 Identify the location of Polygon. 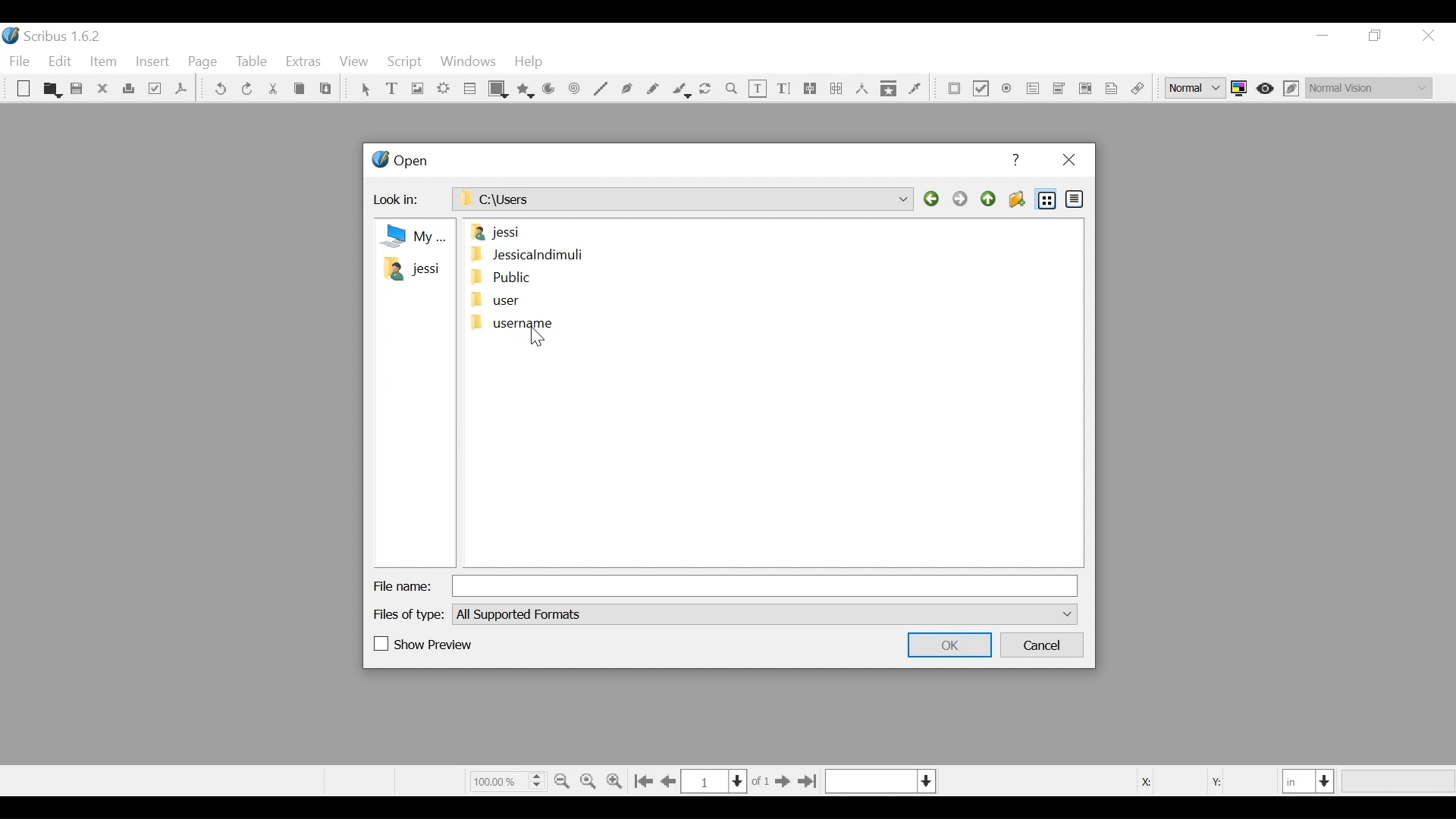
(526, 89).